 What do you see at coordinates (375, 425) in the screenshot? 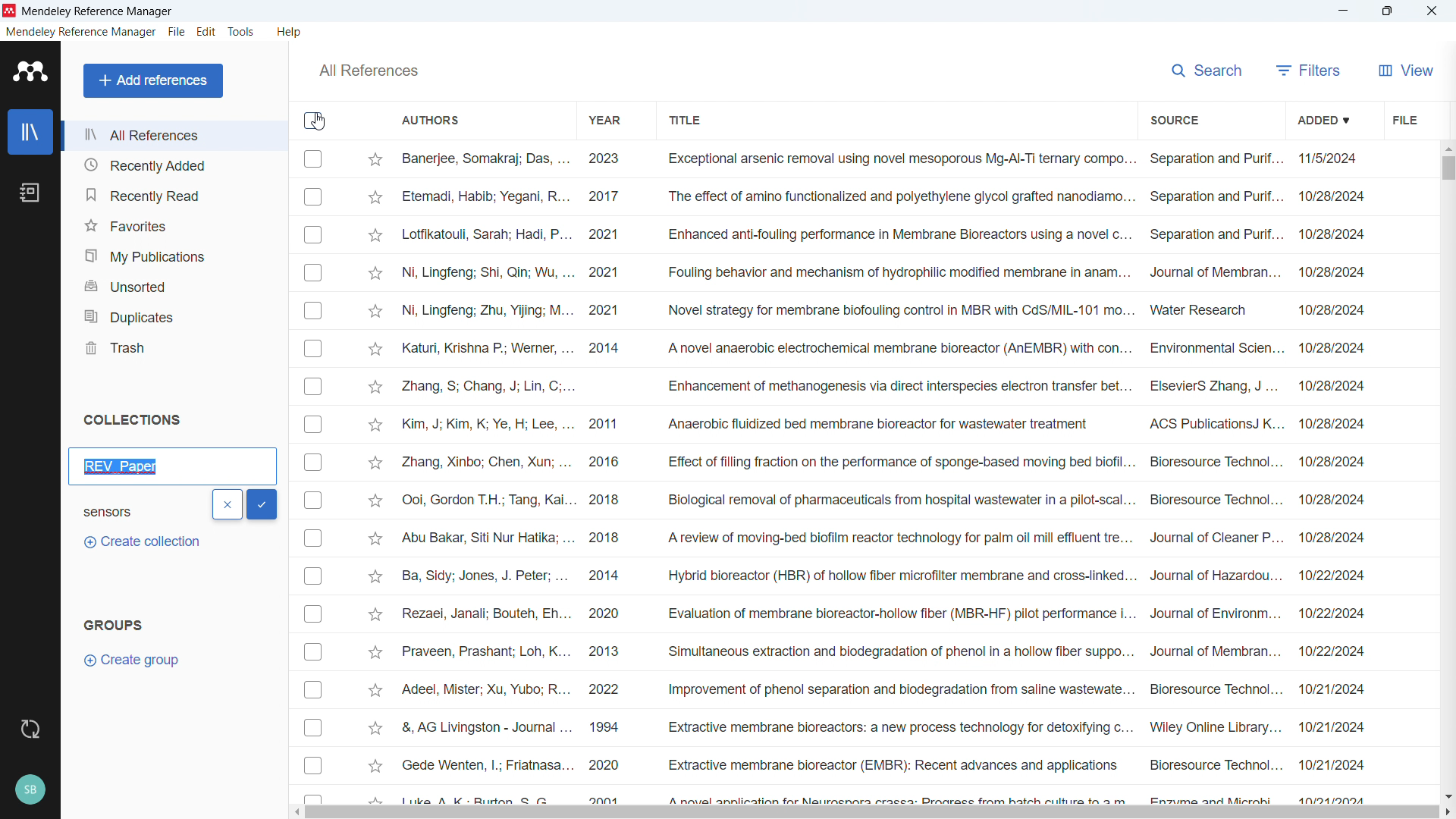
I see `Star mark respective publication` at bounding box center [375, 425].